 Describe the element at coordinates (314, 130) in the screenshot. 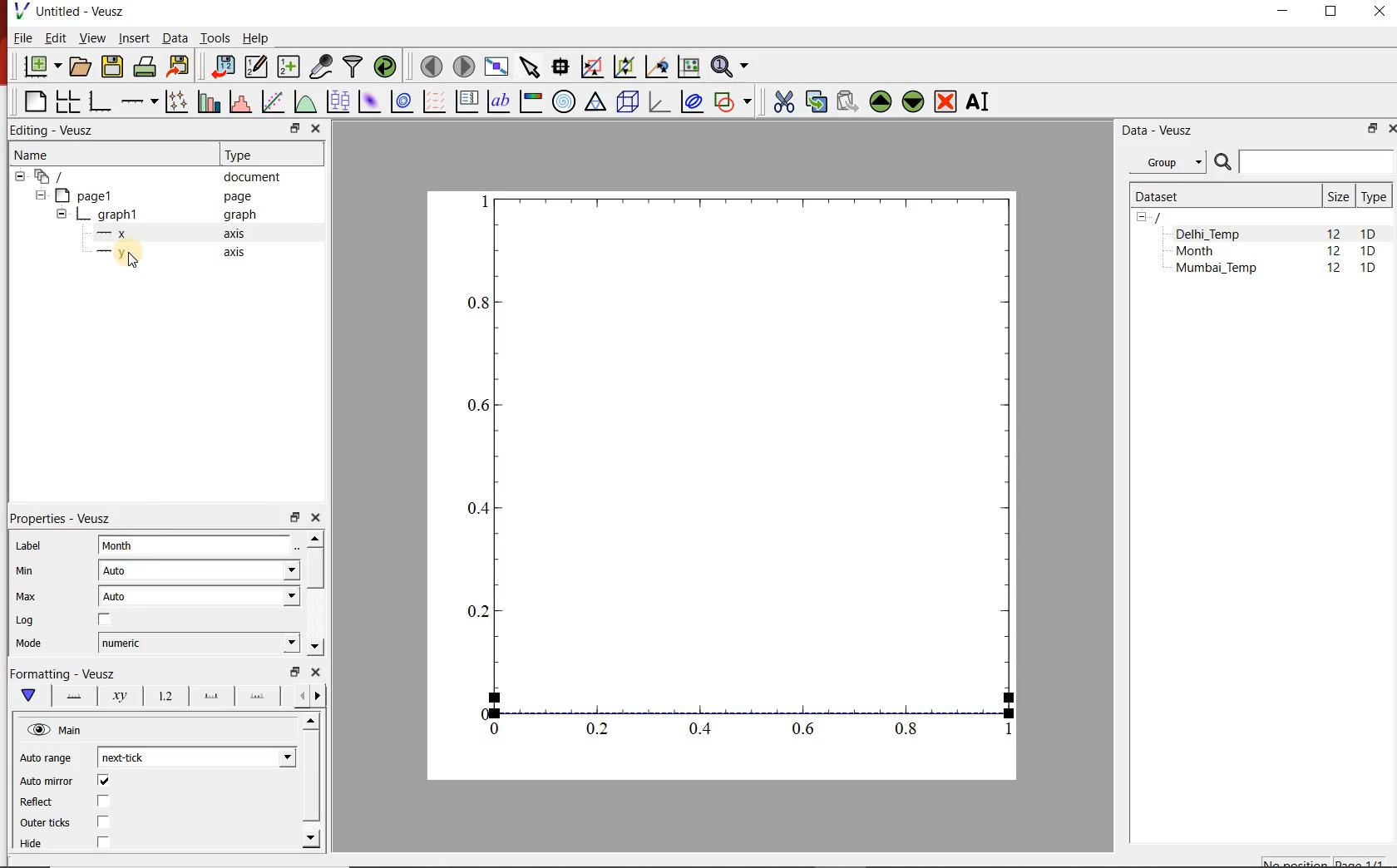

I see `close` at that location.